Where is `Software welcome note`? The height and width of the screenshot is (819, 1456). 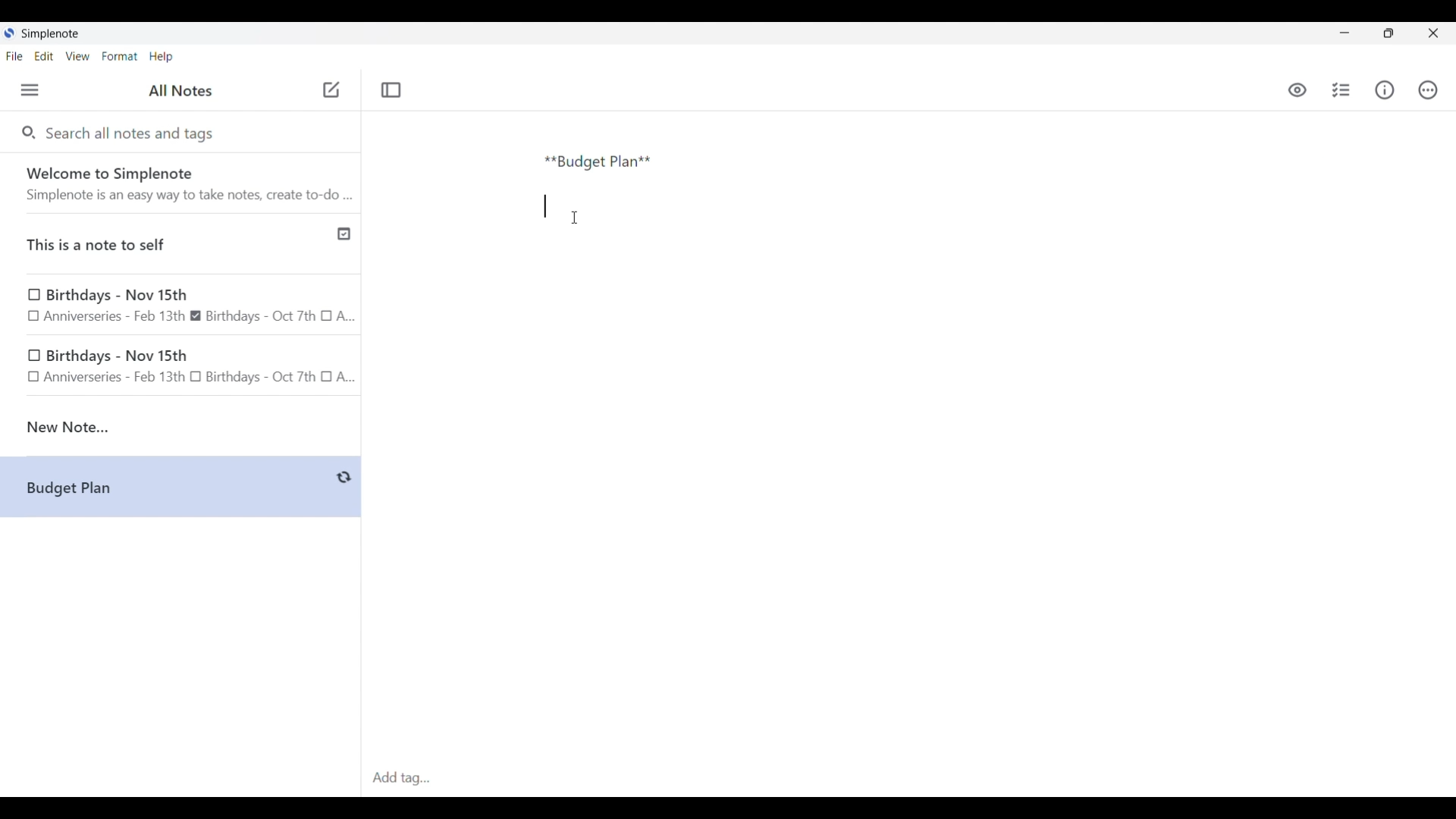
Software welcome note is located at coordinates (184, 183).